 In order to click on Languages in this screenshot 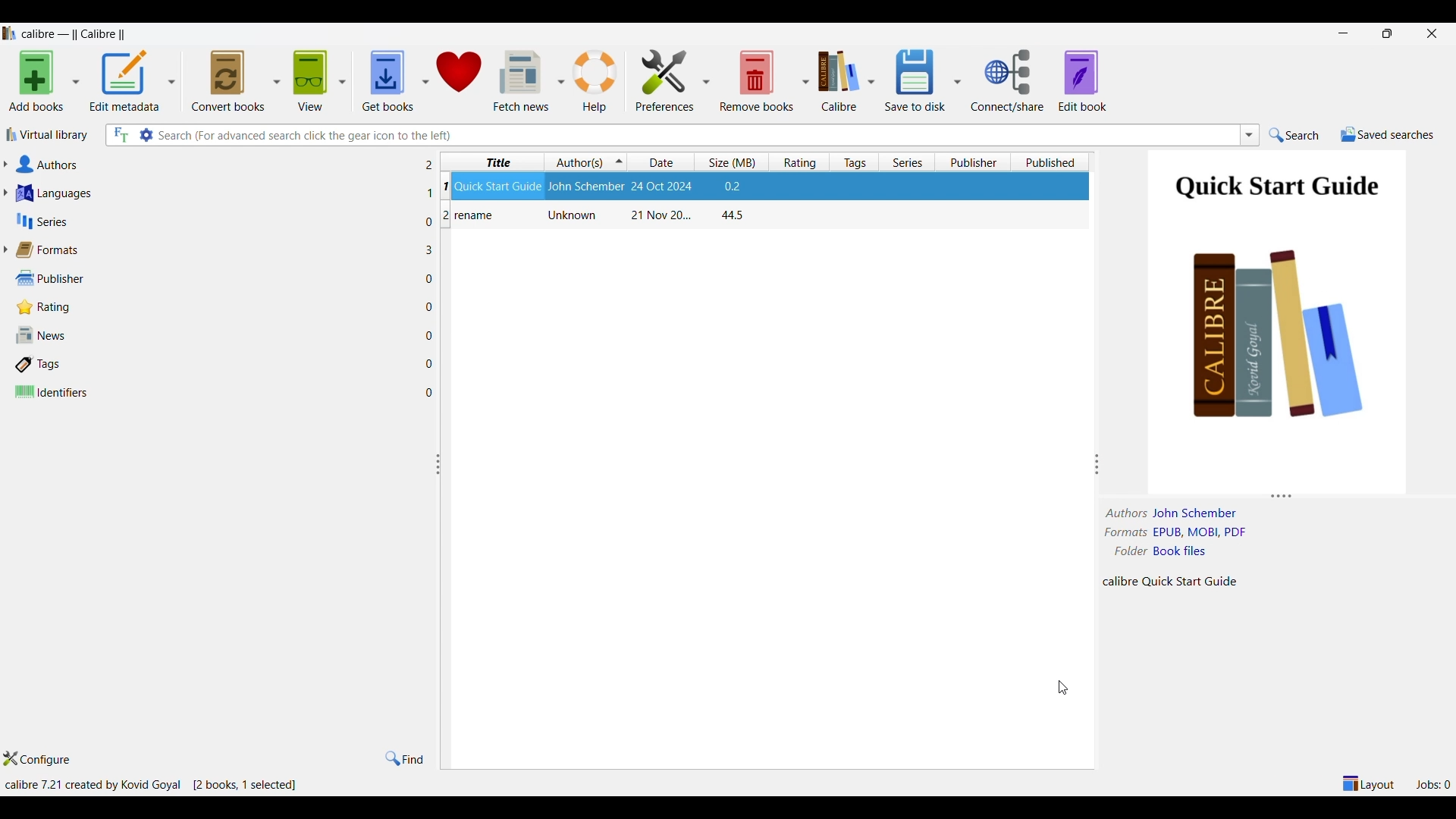, I will do `click(214, 193)`.